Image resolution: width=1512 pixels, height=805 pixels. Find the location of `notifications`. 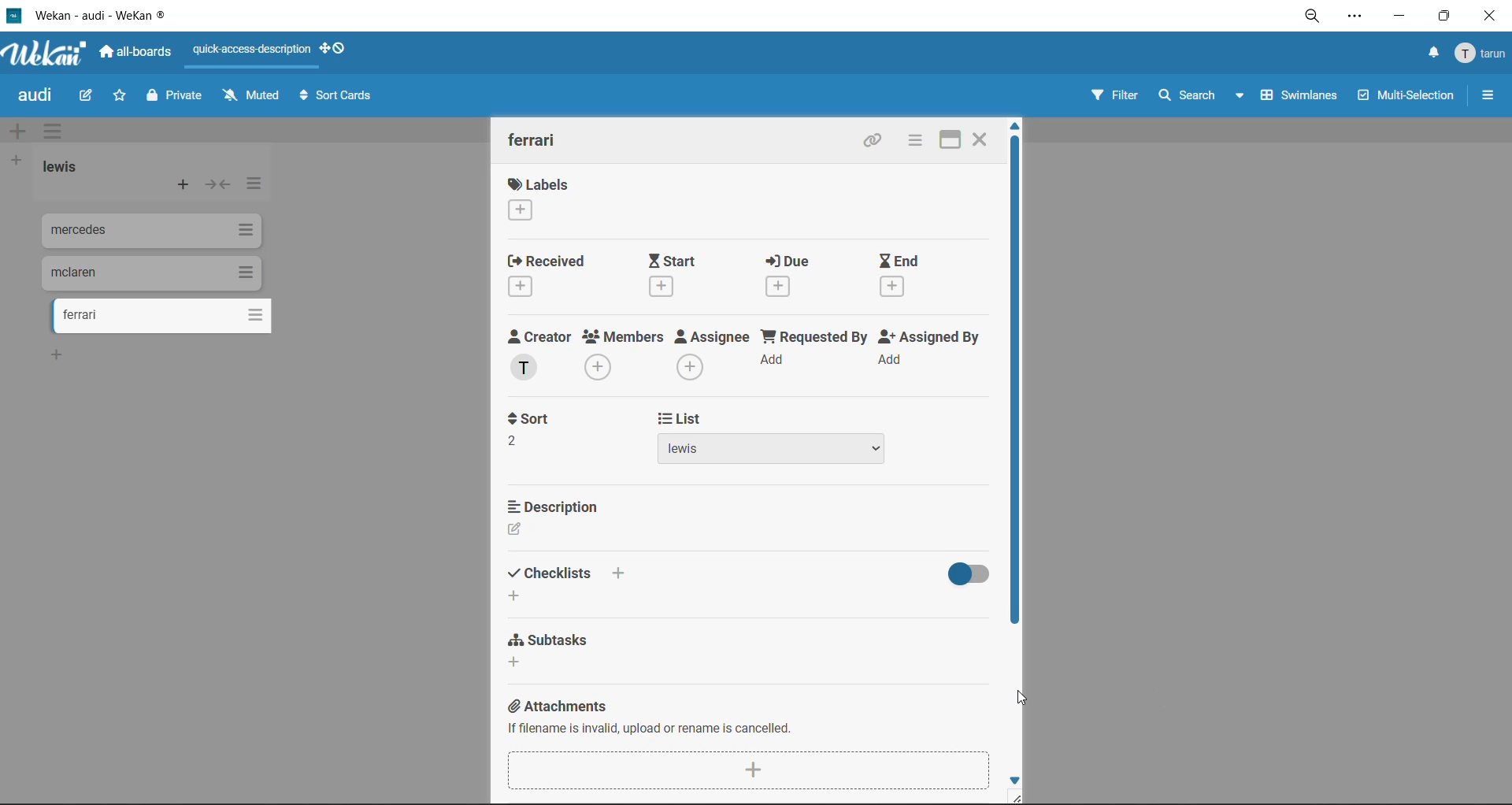

notifications is located at coordinates (1434, 53).